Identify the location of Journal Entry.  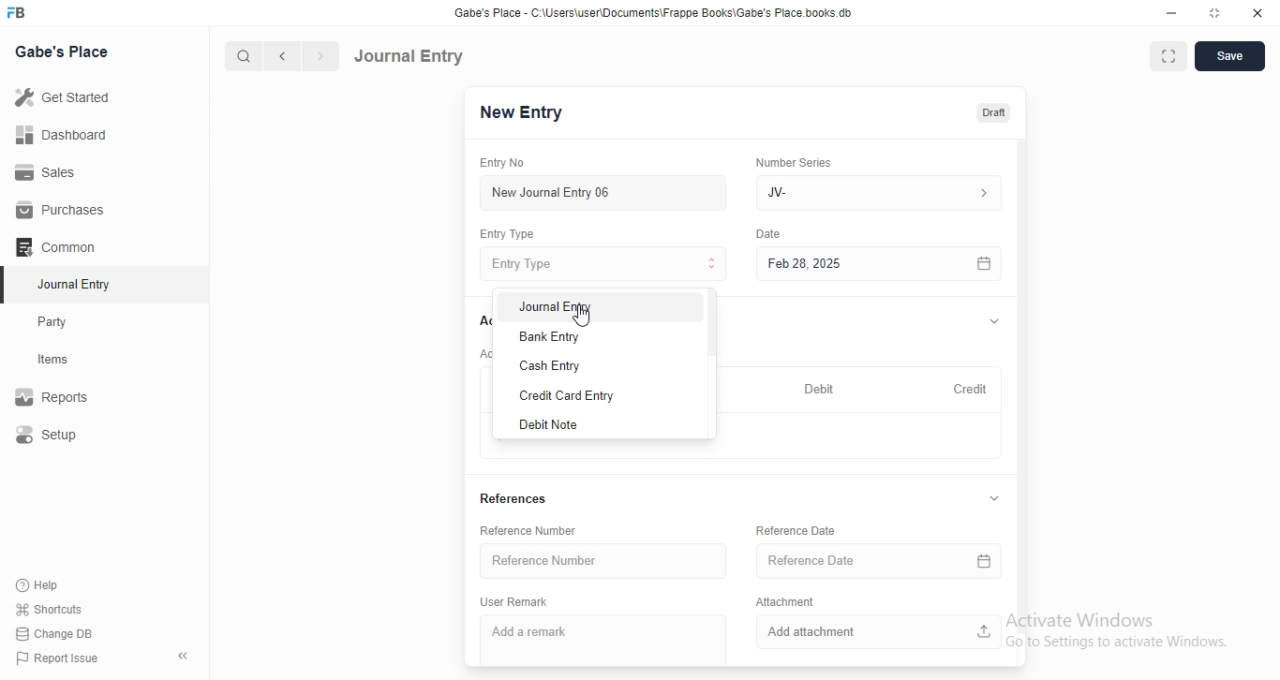
(607, 310).